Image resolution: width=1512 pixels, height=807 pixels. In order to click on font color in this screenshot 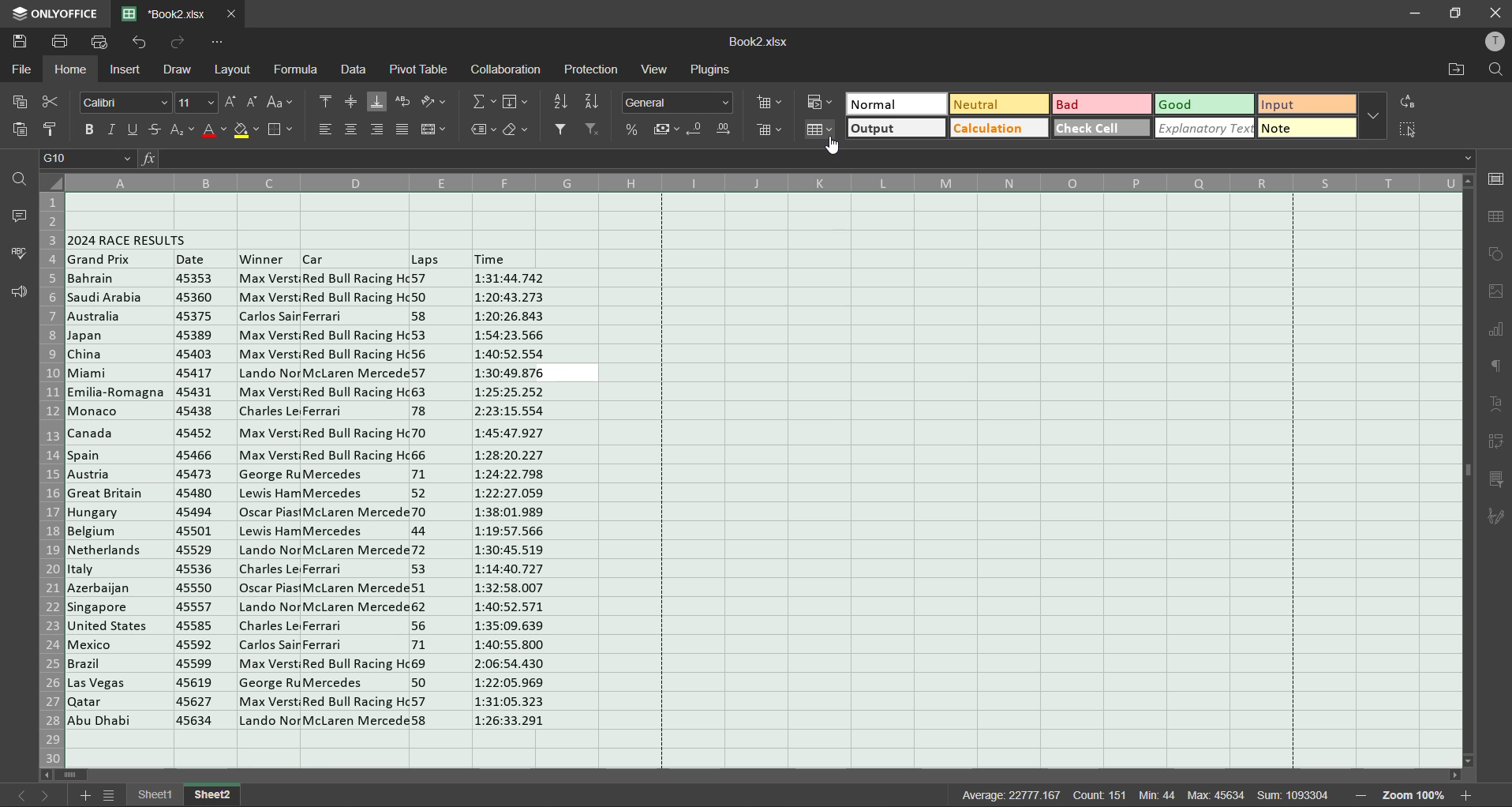, I will do `click(214, 133)`.